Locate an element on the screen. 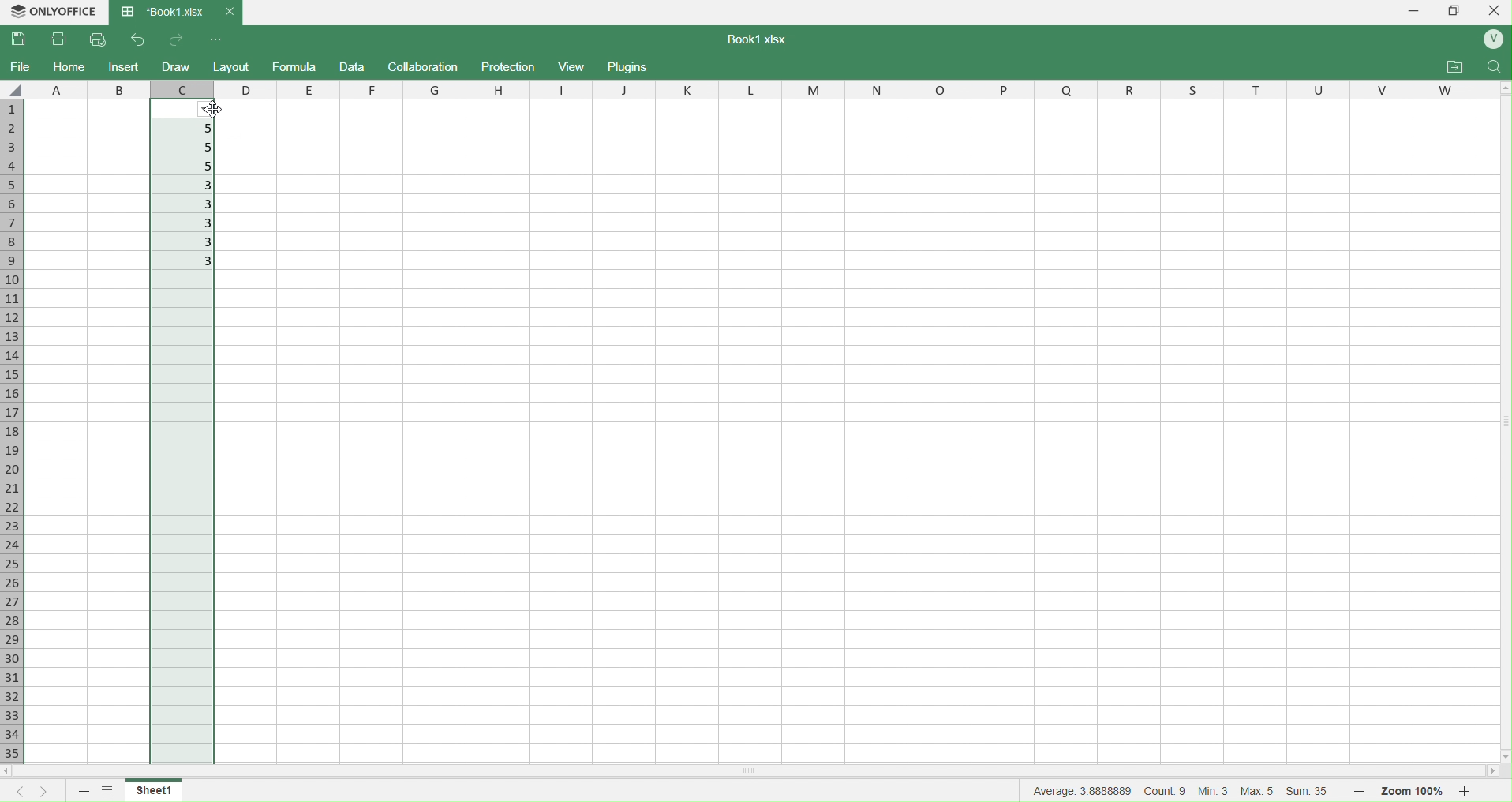 The image size is (1512, 802). Filter is located at coordinates (211, 109).